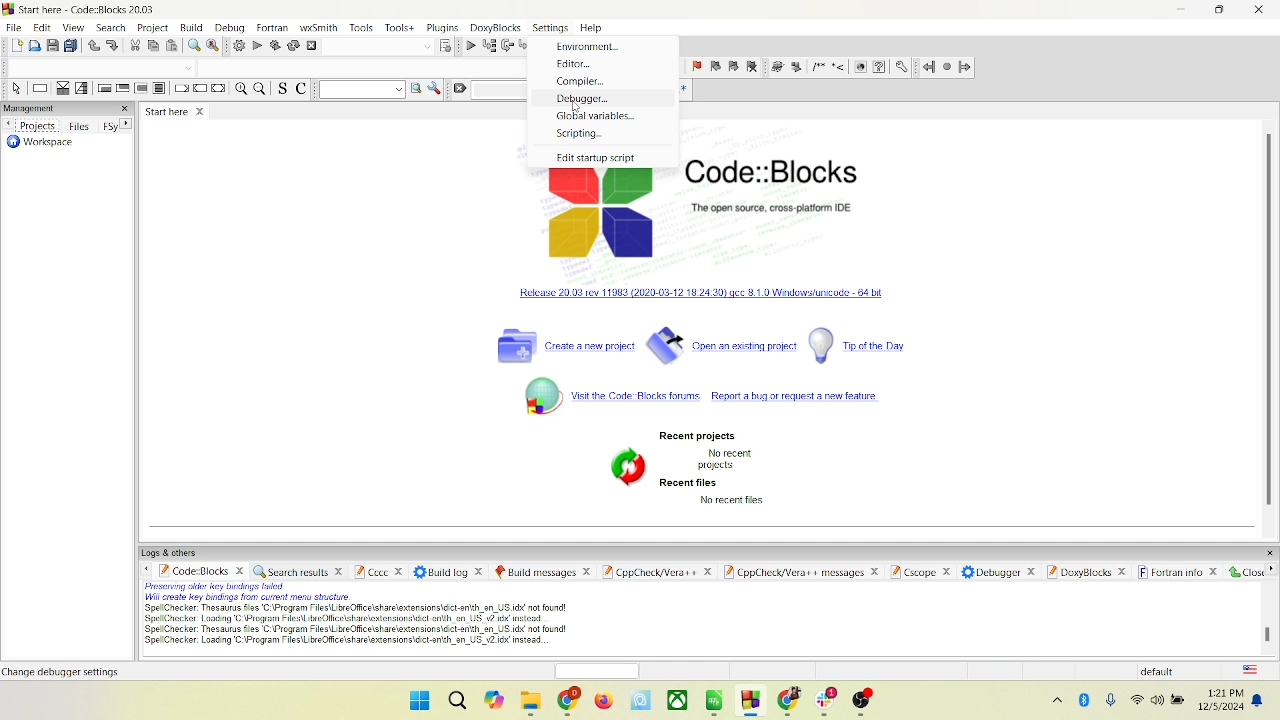 This screenshot has height=720, width=1280. Describe the element at coordinates (726, 507) in the screenshot. I see `text` at that location.